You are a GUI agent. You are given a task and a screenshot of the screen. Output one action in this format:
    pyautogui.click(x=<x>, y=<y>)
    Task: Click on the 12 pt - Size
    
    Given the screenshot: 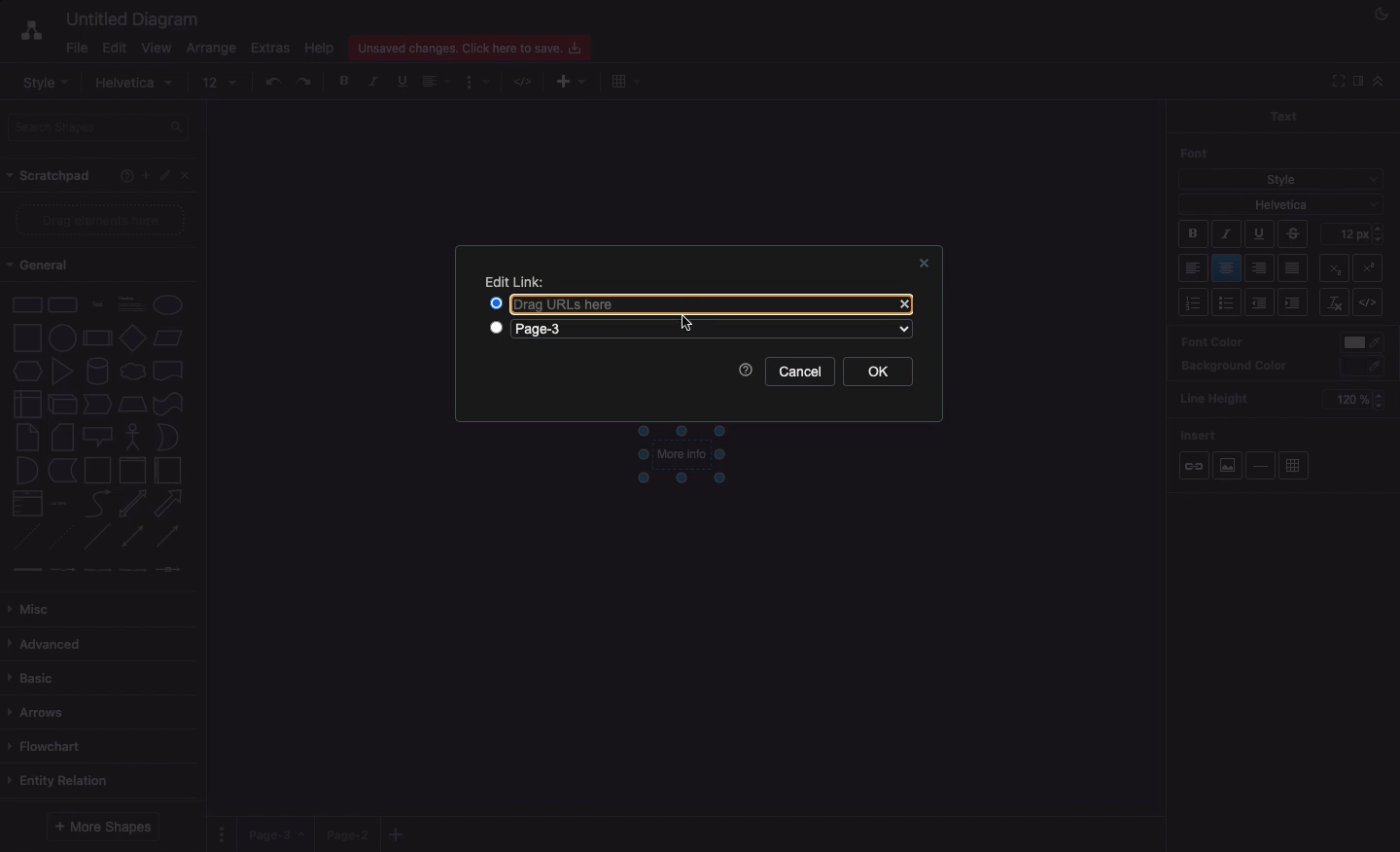 What is the action you would take?
    pyautogui.click(x=1355, y=232)
    